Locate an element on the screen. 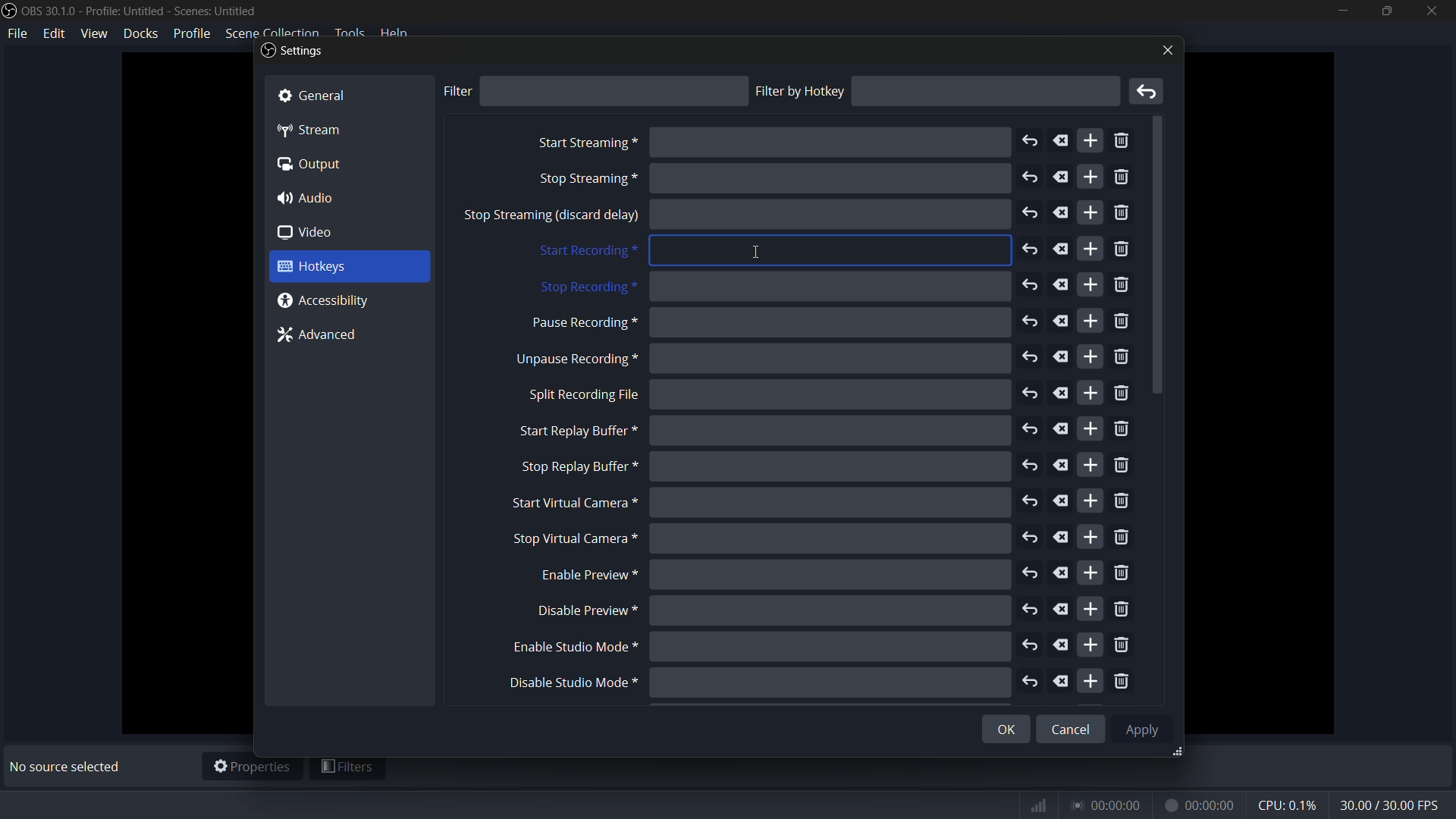  delete is located at coordinates (1063, 682).